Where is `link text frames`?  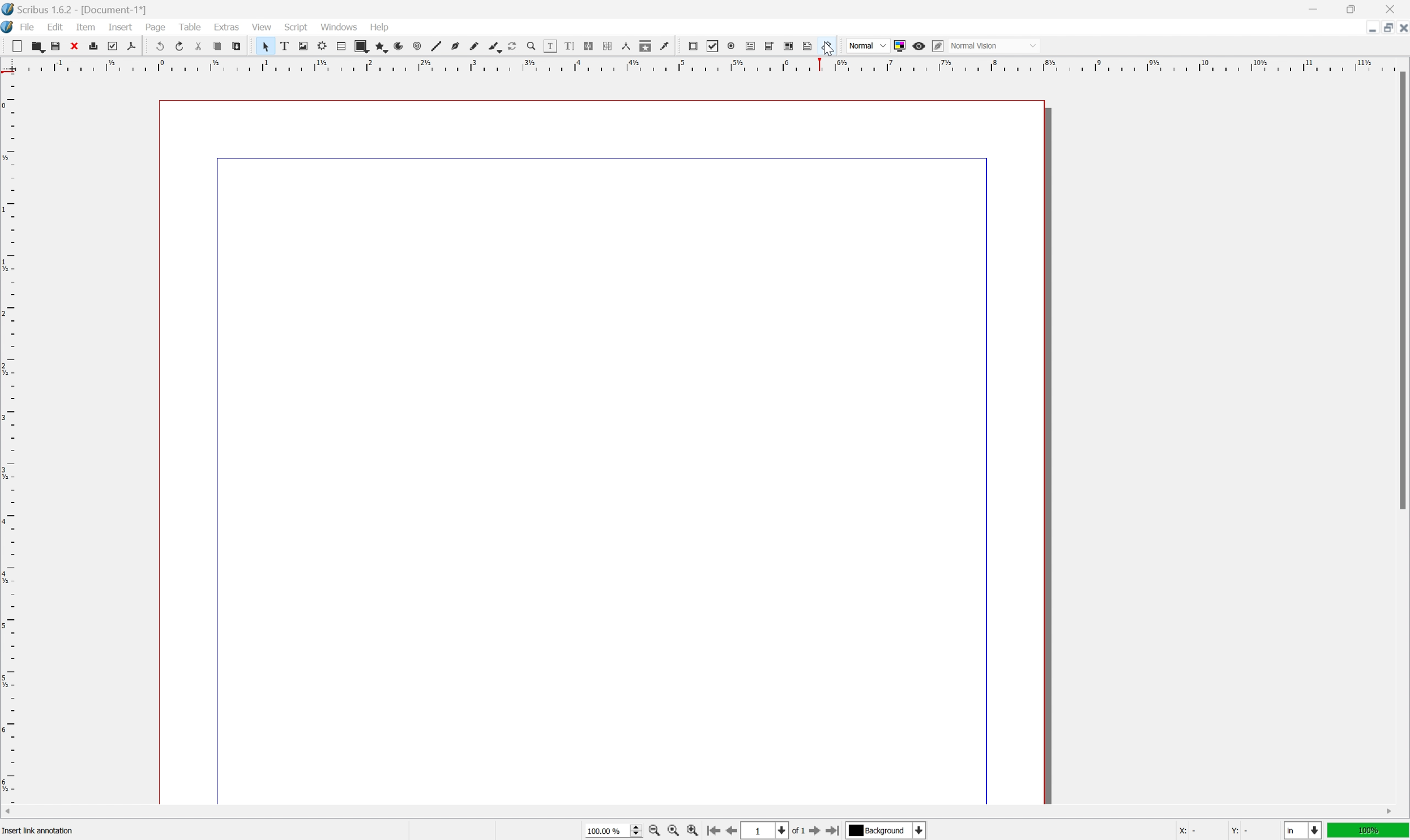 link text frames is located at coordinates (589, 46).